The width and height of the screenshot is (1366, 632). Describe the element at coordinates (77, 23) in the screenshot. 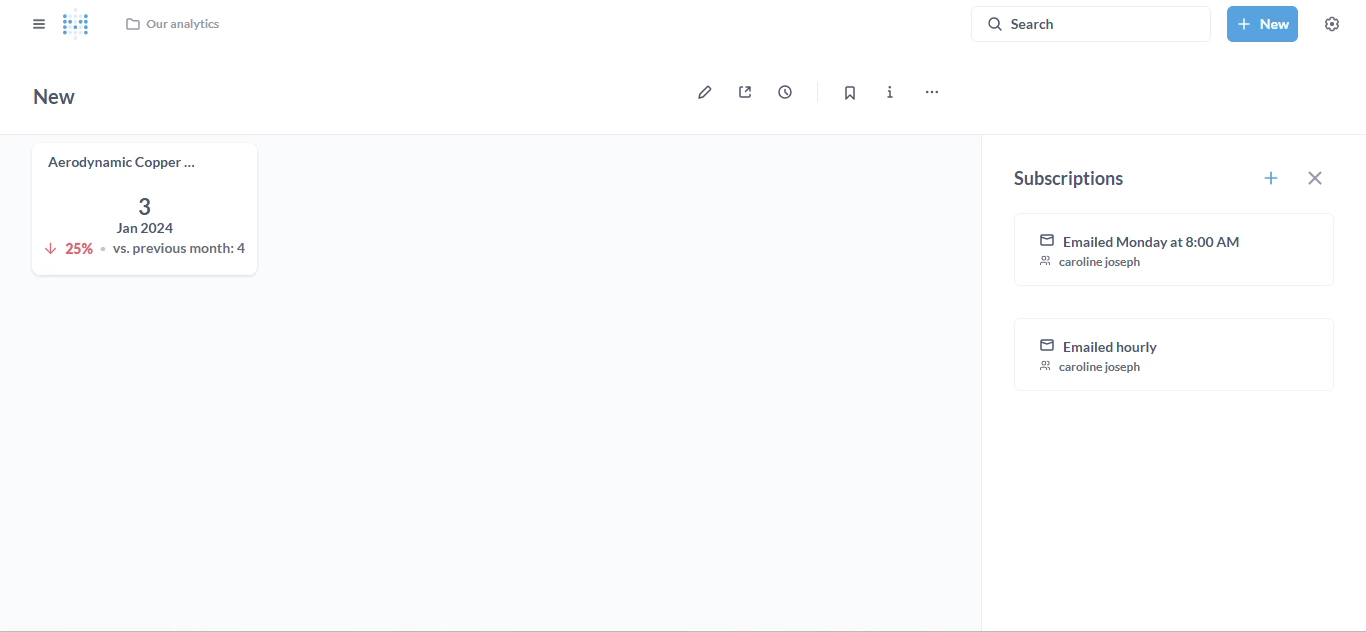

I see `logo` at that location.